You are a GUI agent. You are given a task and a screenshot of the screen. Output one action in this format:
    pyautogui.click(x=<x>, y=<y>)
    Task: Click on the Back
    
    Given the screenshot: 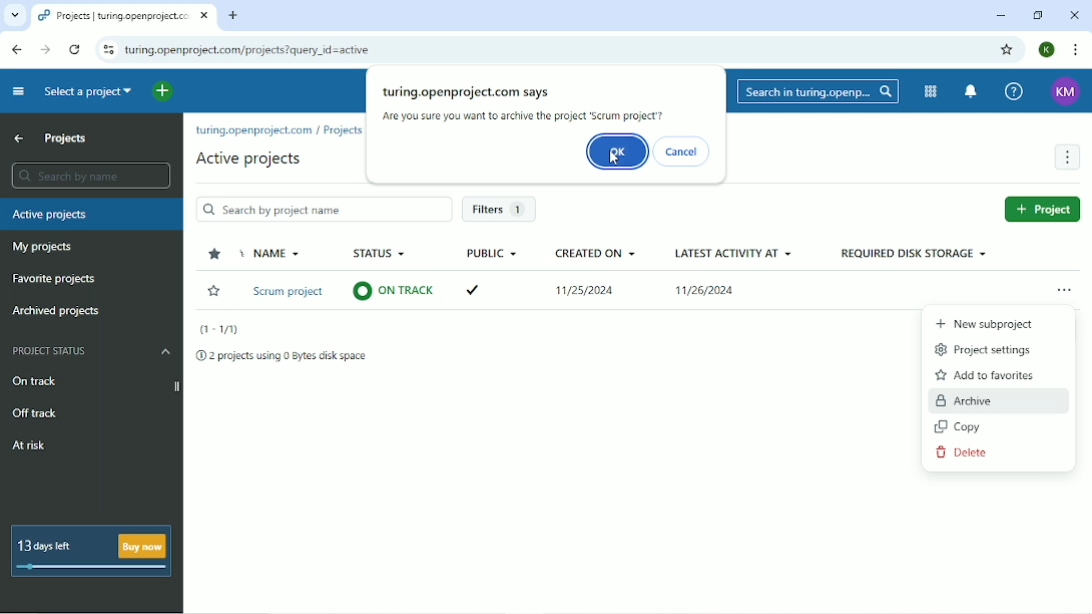 What is the action you would take?
    pyautogui.click(x=18, y=49)
    